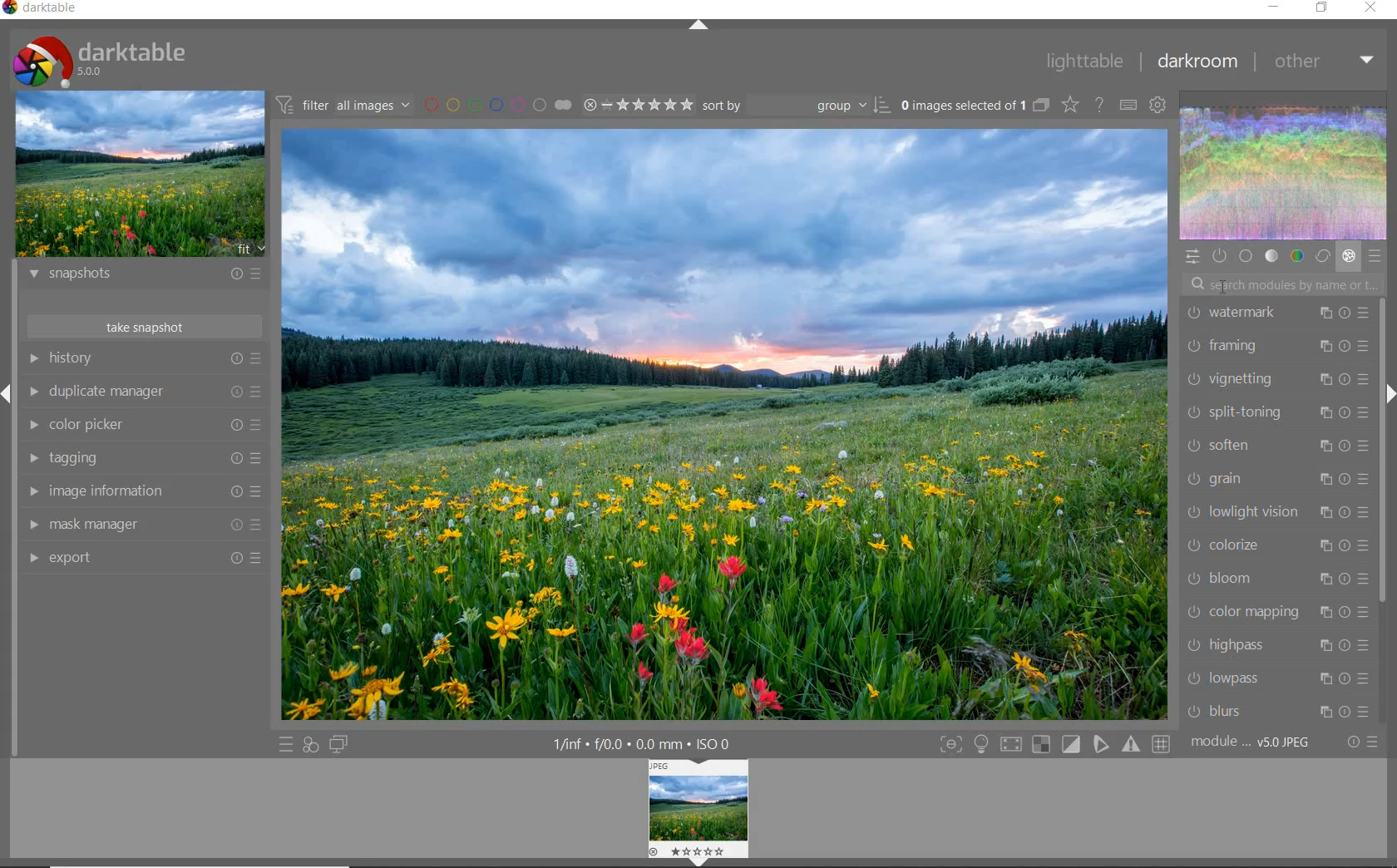  Describe the element at coordinates (143, 358) in the screenshot. I see `history` at that location.